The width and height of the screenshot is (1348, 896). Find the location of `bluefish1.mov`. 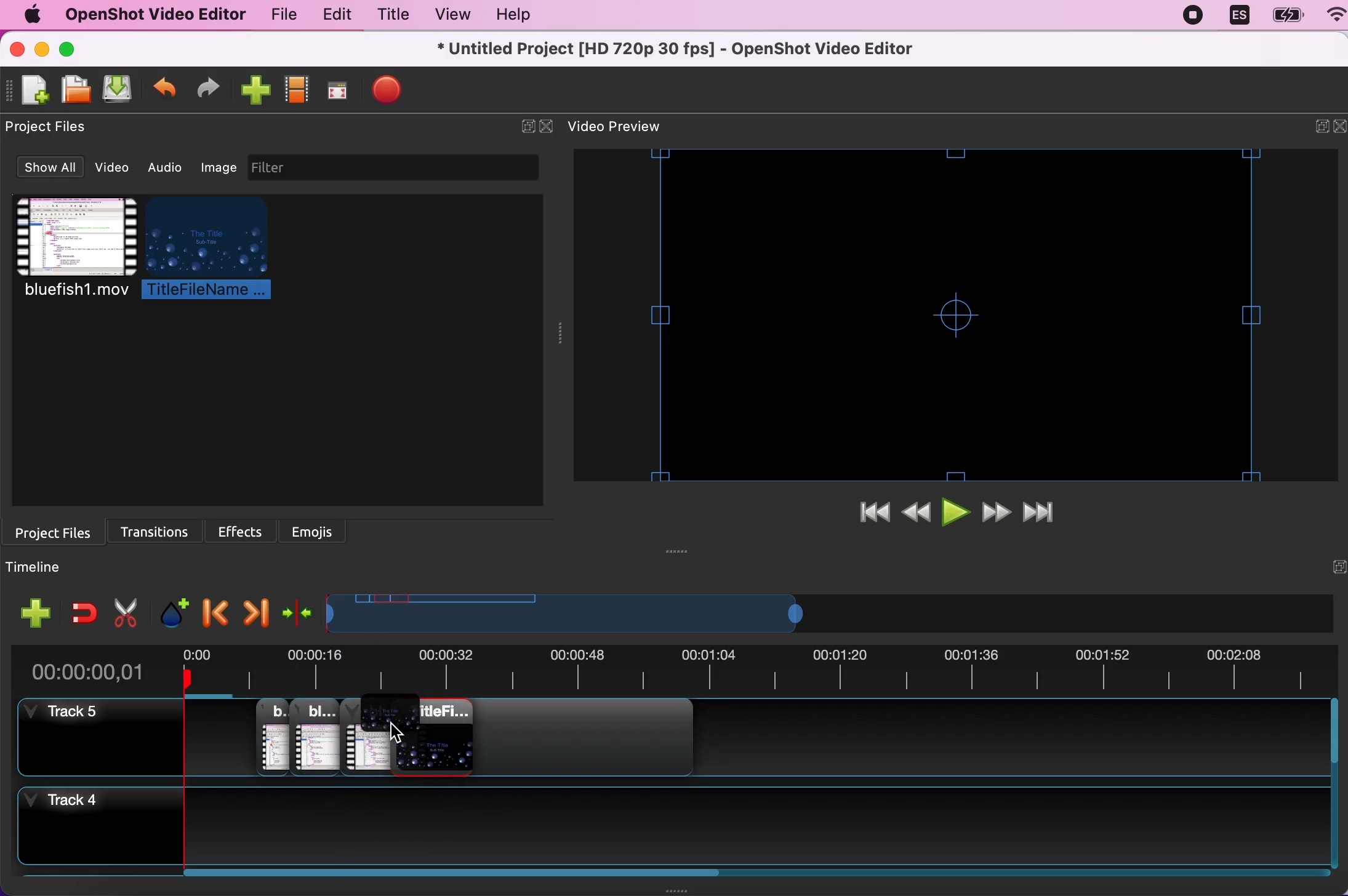

bluefish1.mov is located at coordinates (73, 249).